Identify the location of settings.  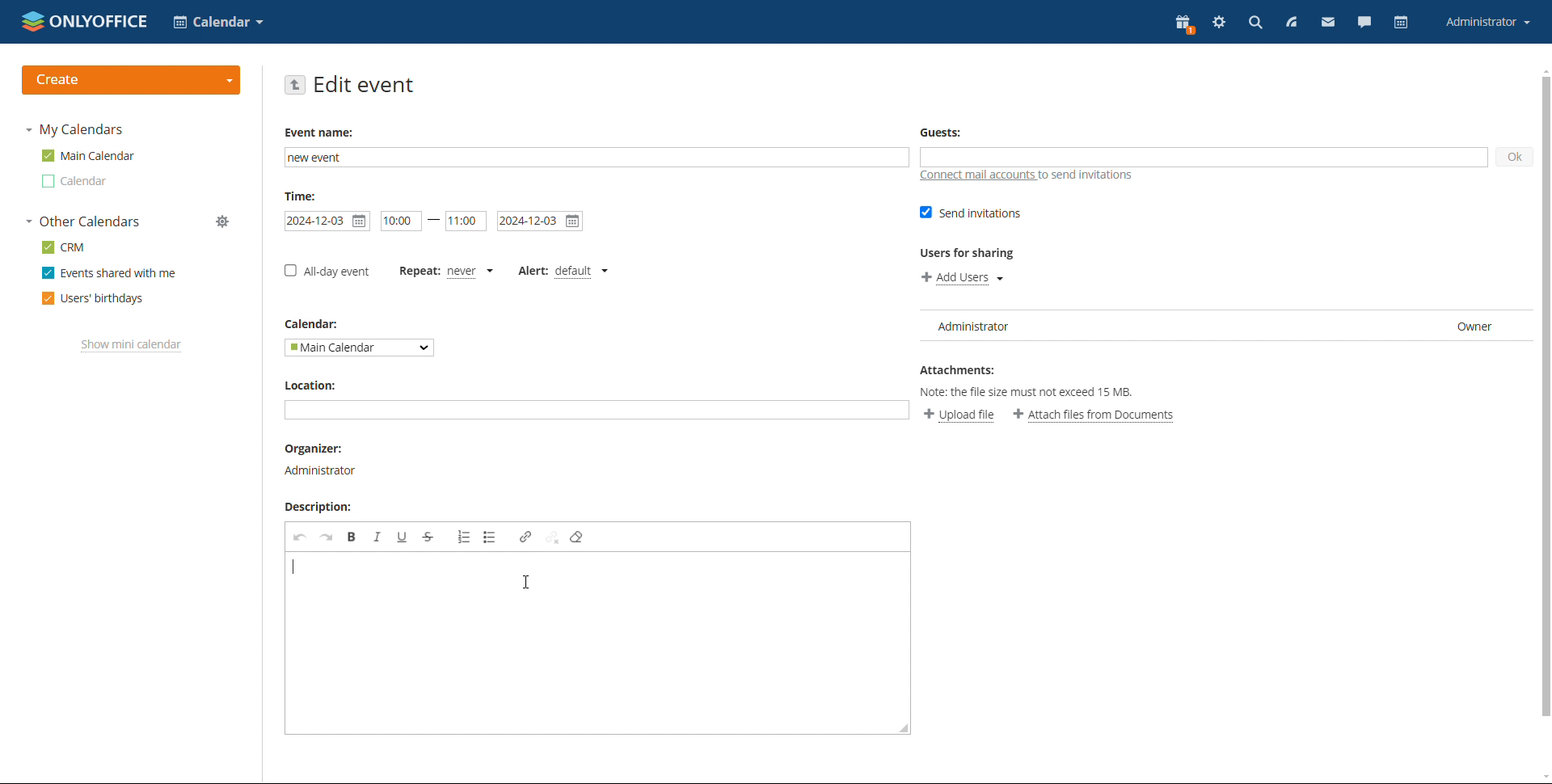
(1220, 22).